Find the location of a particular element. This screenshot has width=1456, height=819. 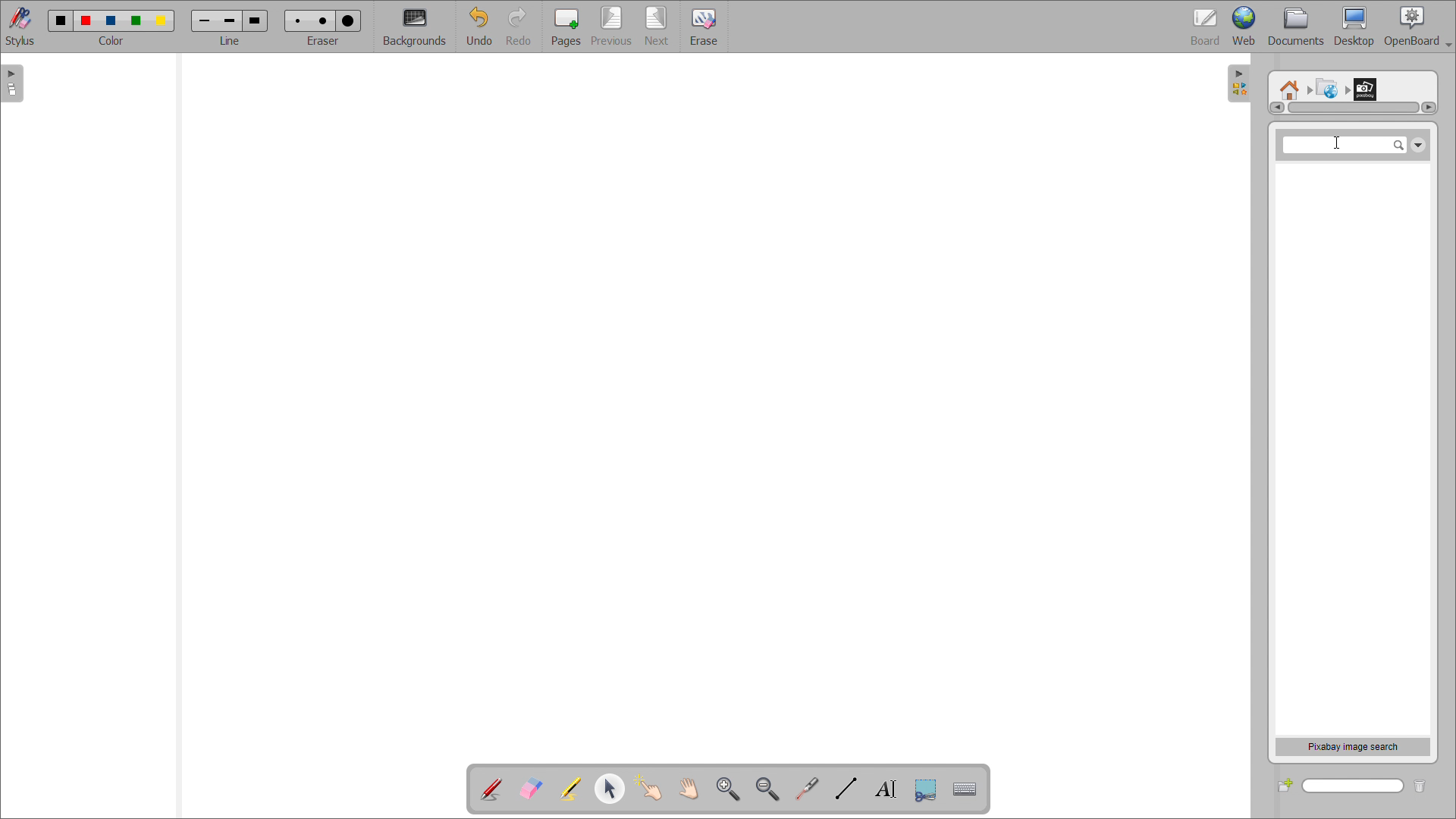

scroll right is located at coordinates (1428, 107).